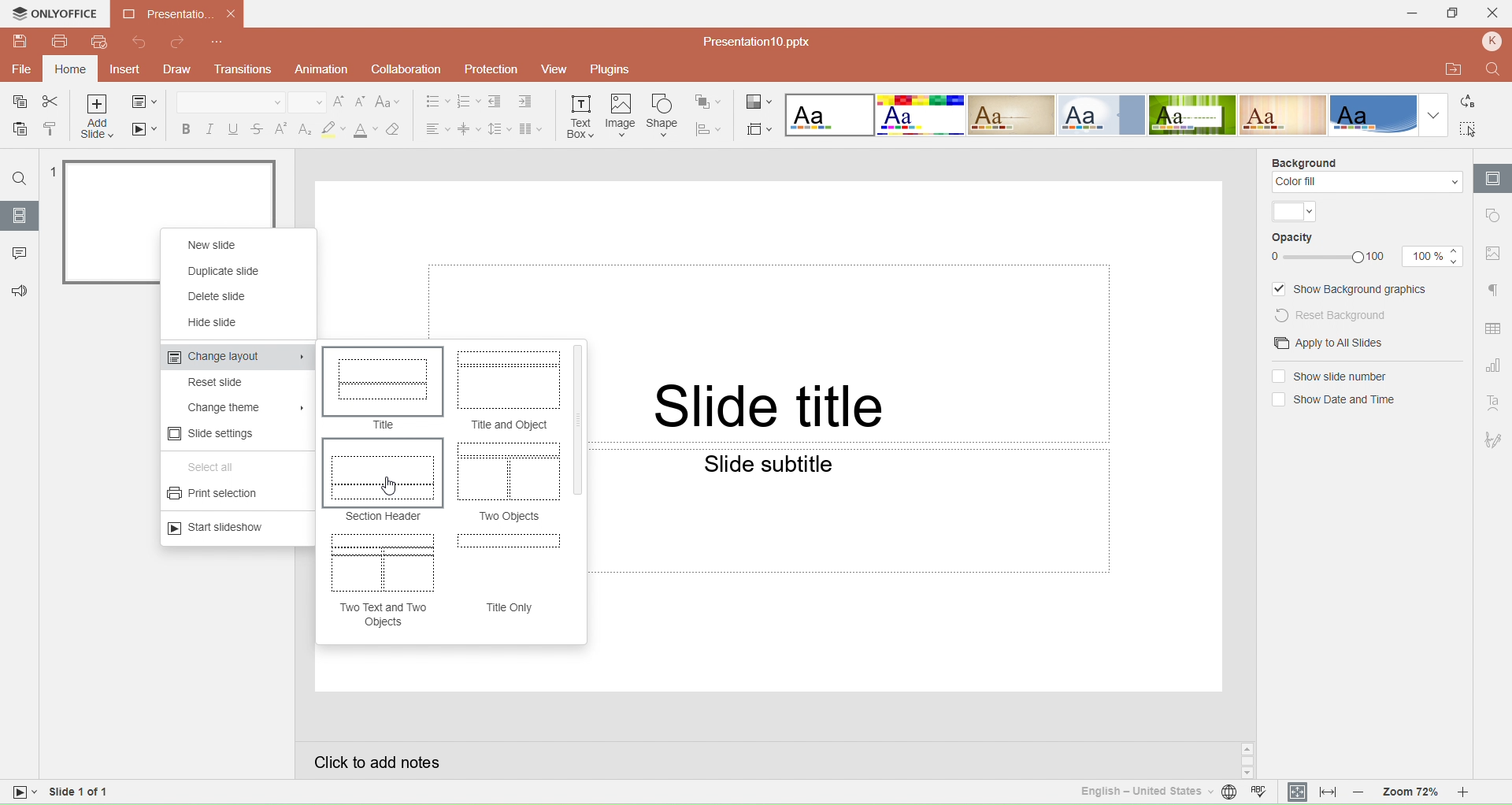 This screenshot has height=805, width=1512. What do you see at coordinates (580, 420) in the screenshot?
I see `Vertical Scroll bar` at bounding box center [580, 420].